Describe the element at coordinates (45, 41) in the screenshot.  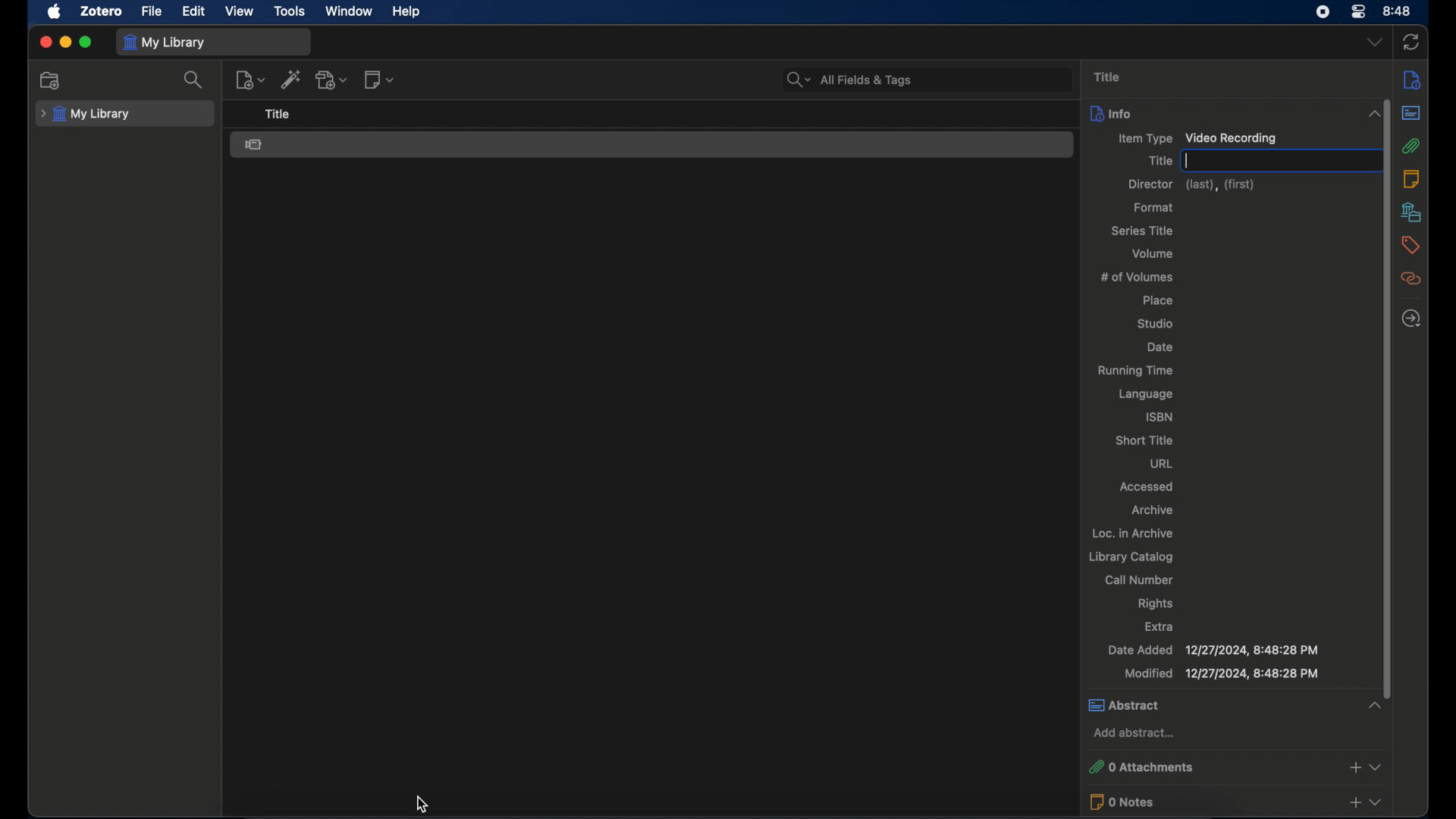
I see `close` at that location.